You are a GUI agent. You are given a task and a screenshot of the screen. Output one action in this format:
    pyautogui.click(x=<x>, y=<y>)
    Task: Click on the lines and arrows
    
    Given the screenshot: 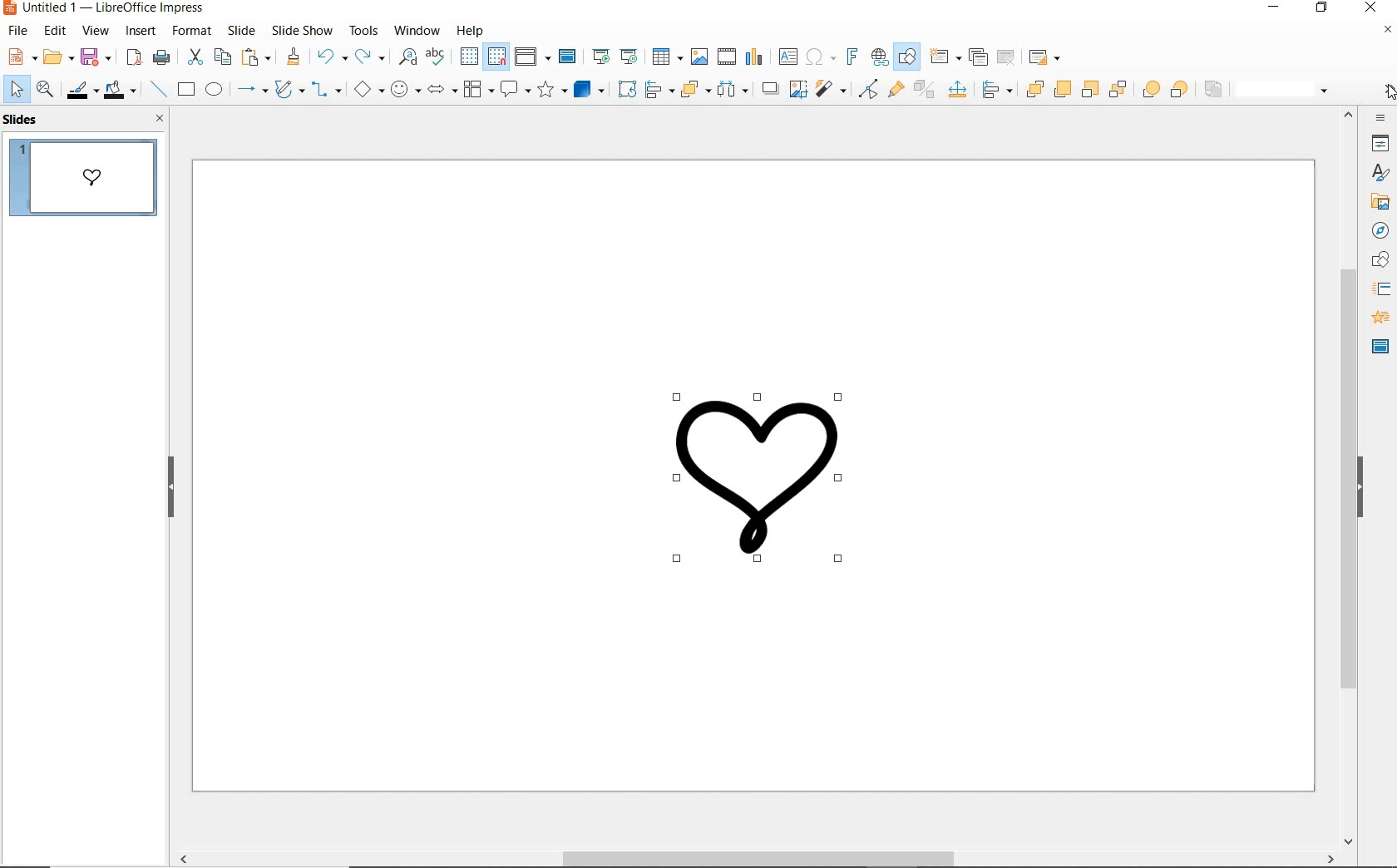 What is the action you would take?
    pyautogui.click(x=253, y=90)
    